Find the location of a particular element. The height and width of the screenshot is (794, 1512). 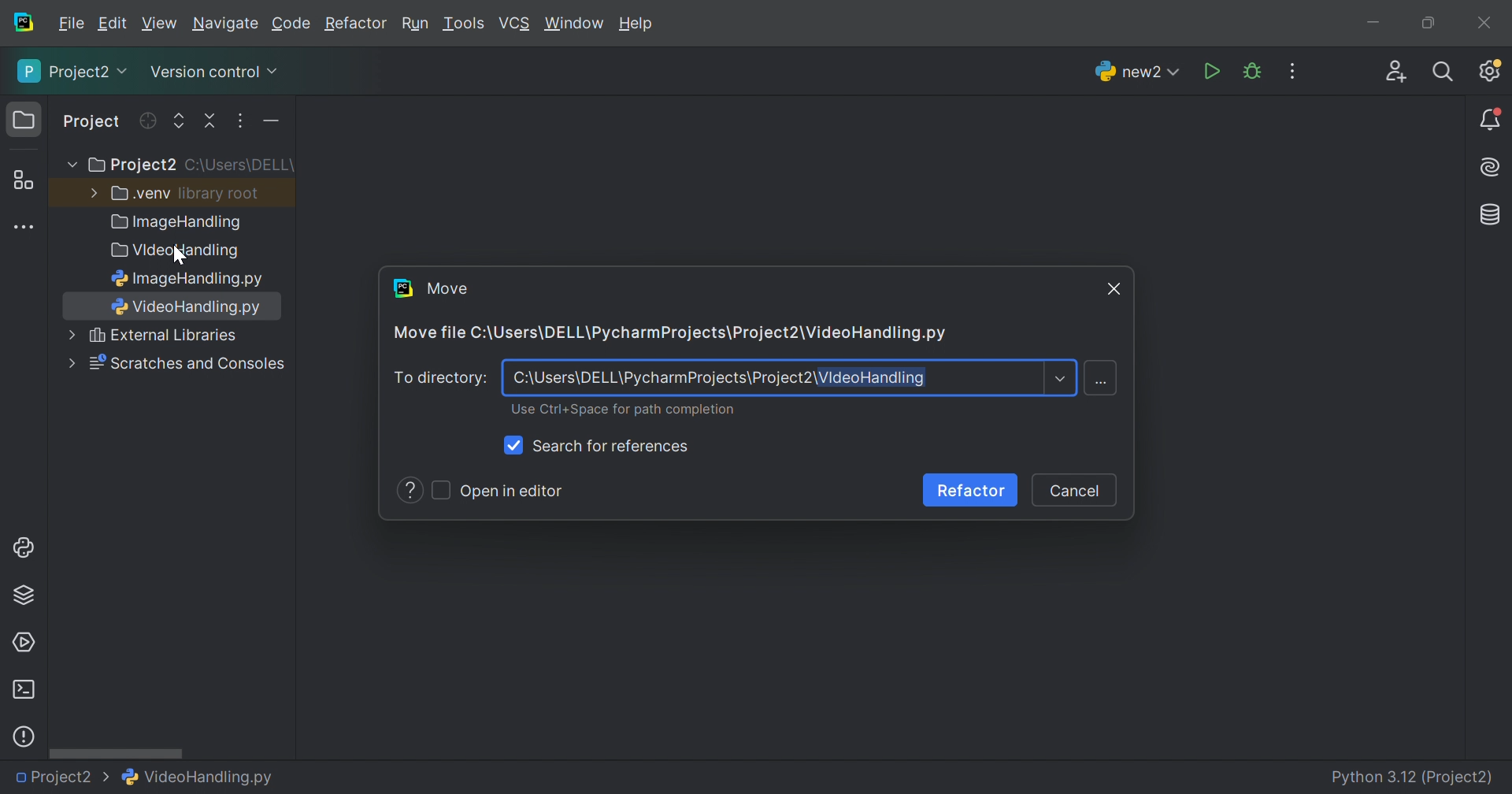

More actions is located at coordinates (267, 124).